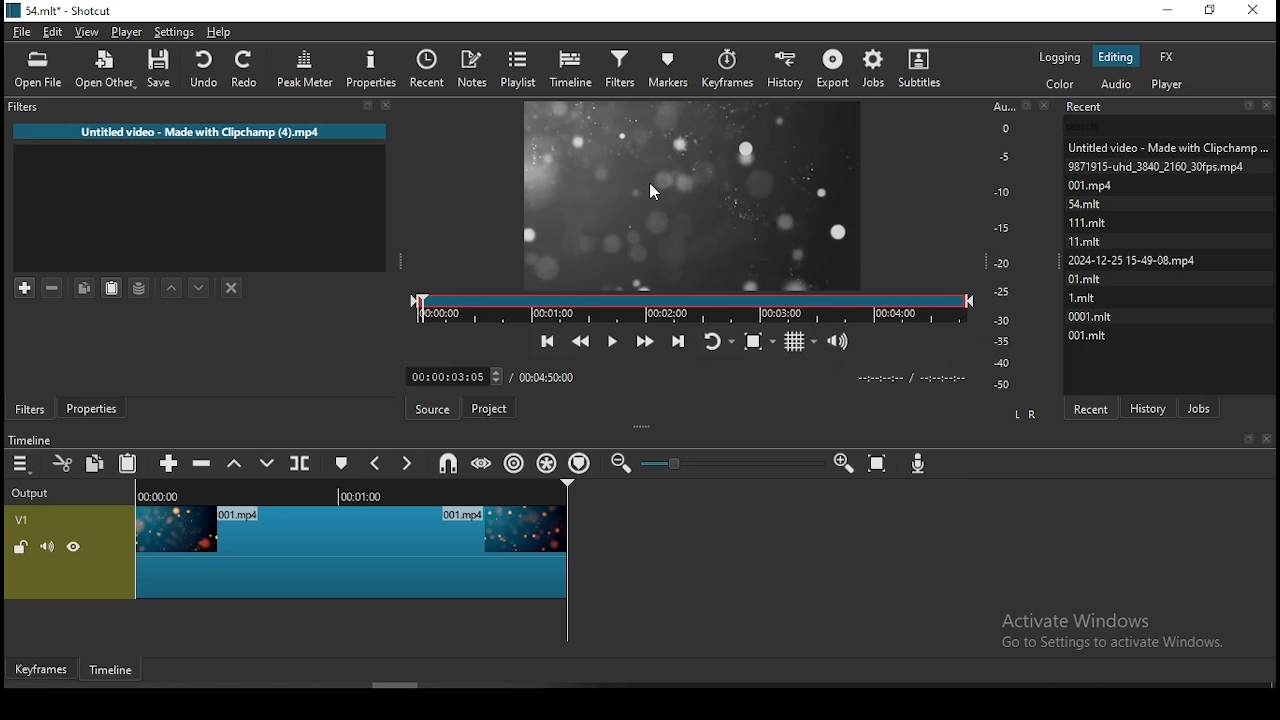 The image size is (1280, 720). I want to click on edit track time, so click(453, 376).